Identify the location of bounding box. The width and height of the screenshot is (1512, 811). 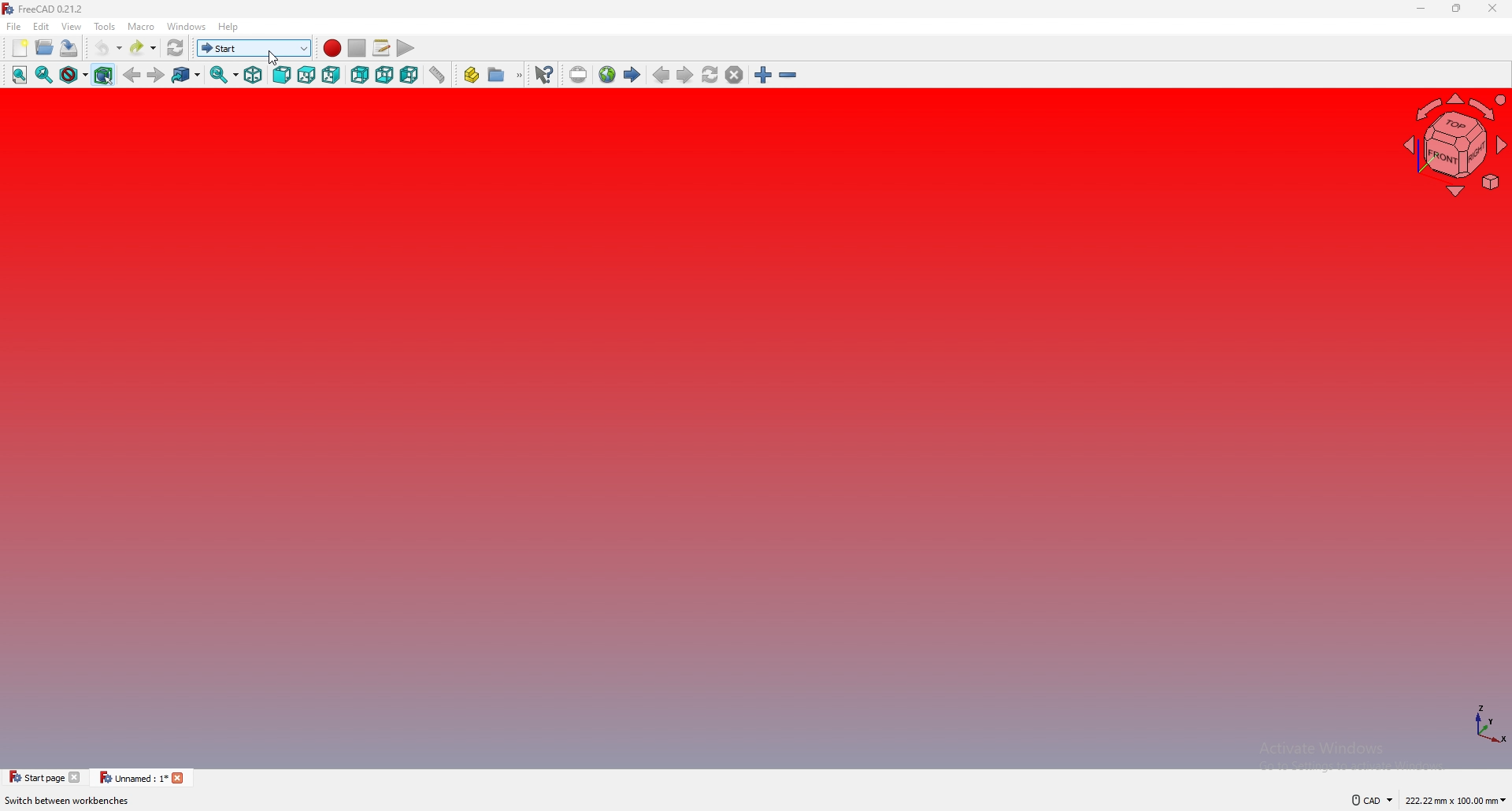
(104, 75).